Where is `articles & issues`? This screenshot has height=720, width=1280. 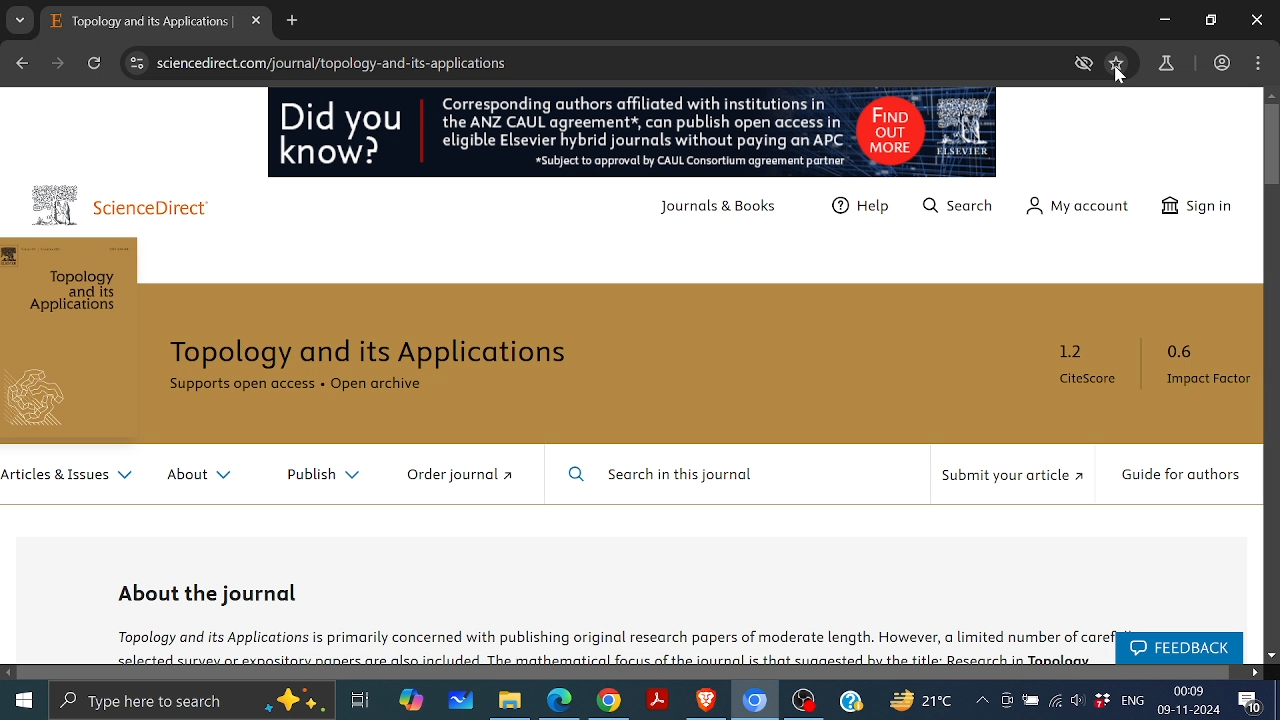 articles & issues is located at coordinates (67, 479).